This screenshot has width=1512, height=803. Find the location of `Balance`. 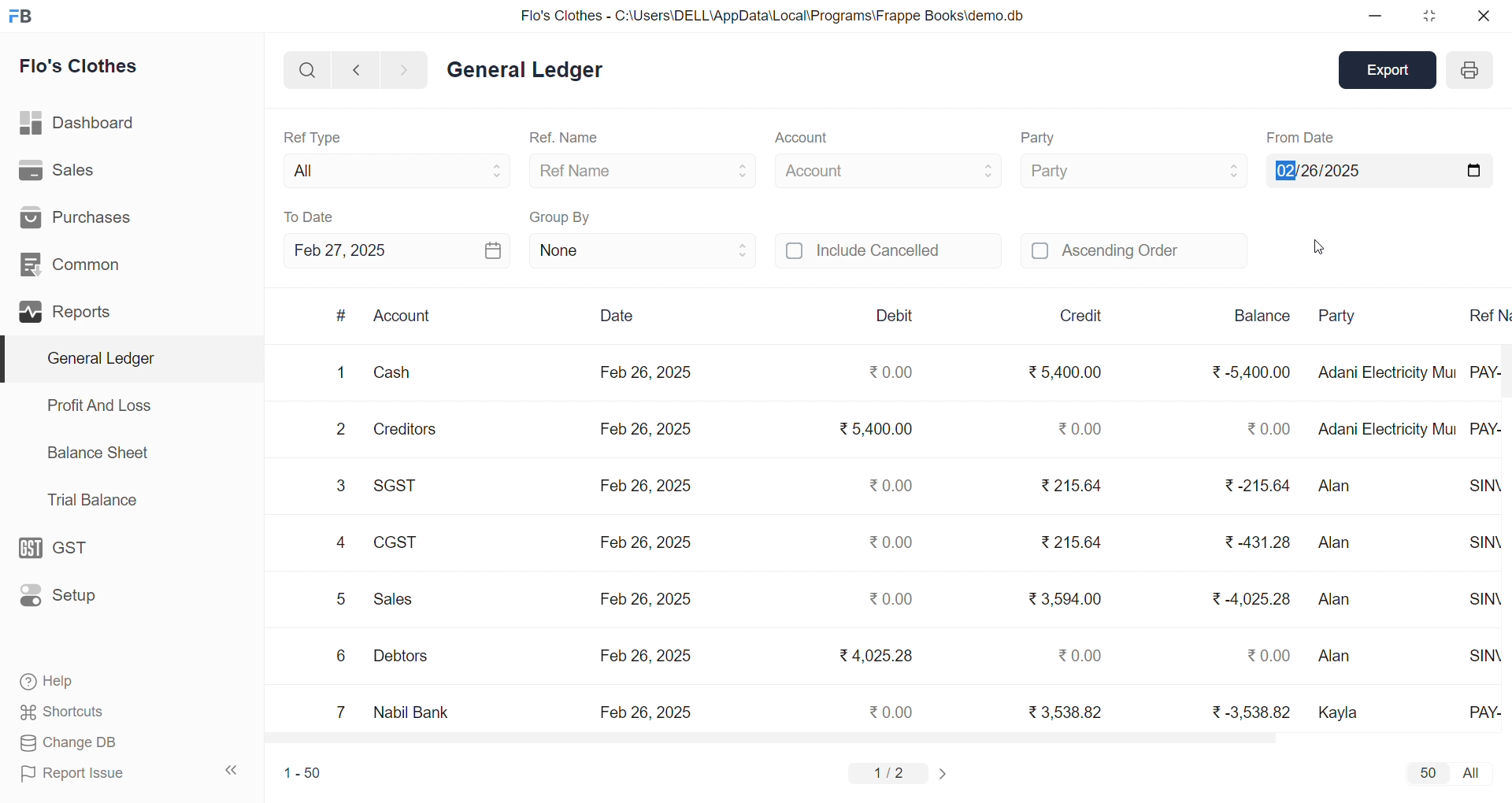

Balance is located at coordinates (1262, 316).